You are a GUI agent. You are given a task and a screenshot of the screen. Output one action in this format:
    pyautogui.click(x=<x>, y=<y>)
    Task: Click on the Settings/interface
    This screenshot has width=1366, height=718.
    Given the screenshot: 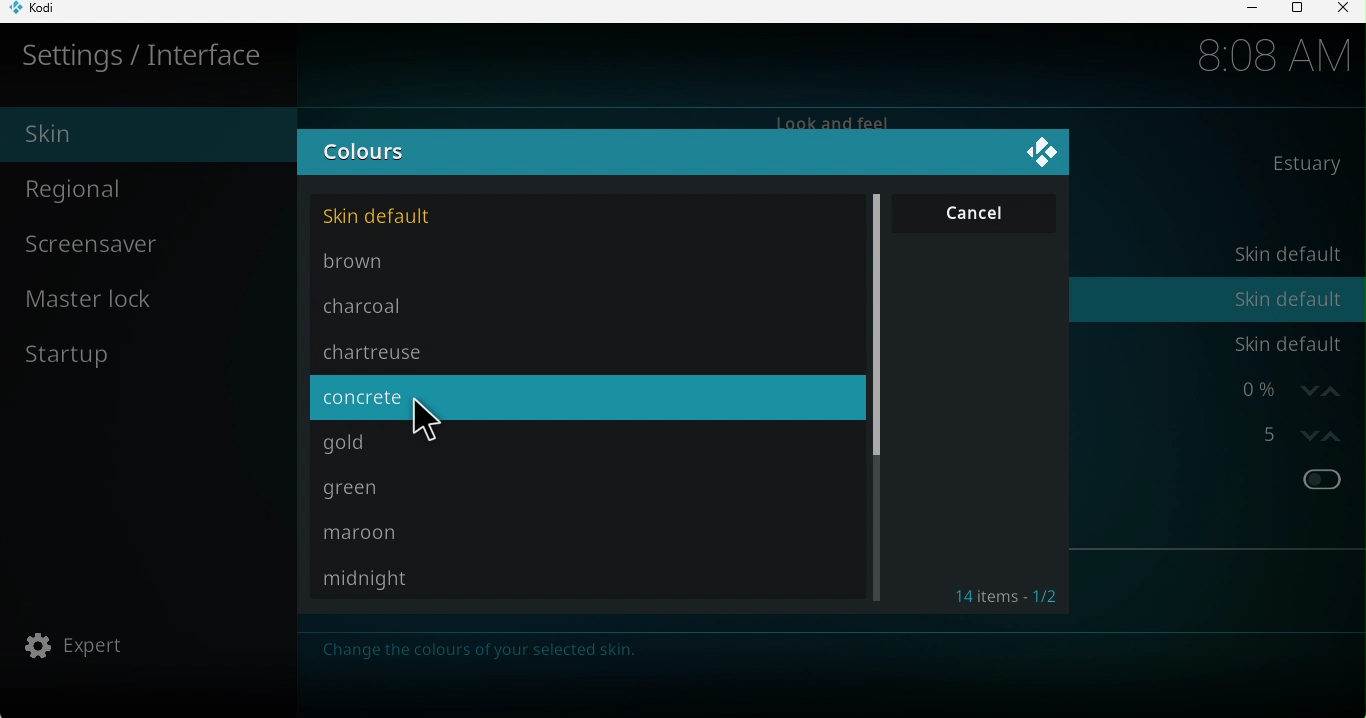 What is the action you would take?
    pyautogui.click(x=143, y=54)
    